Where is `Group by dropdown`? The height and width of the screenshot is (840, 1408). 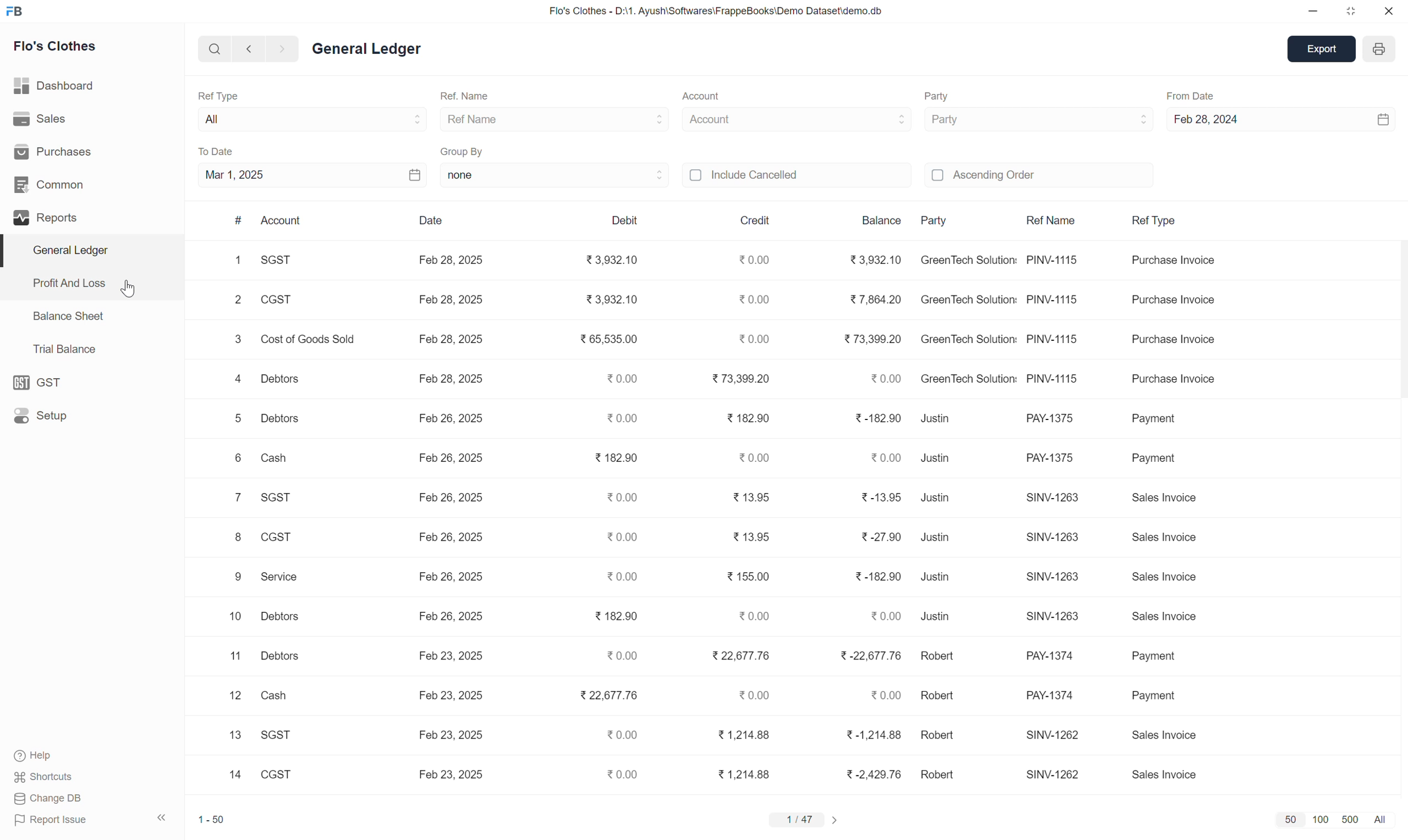
Group by dropdown is located at coordinates (639, 174).